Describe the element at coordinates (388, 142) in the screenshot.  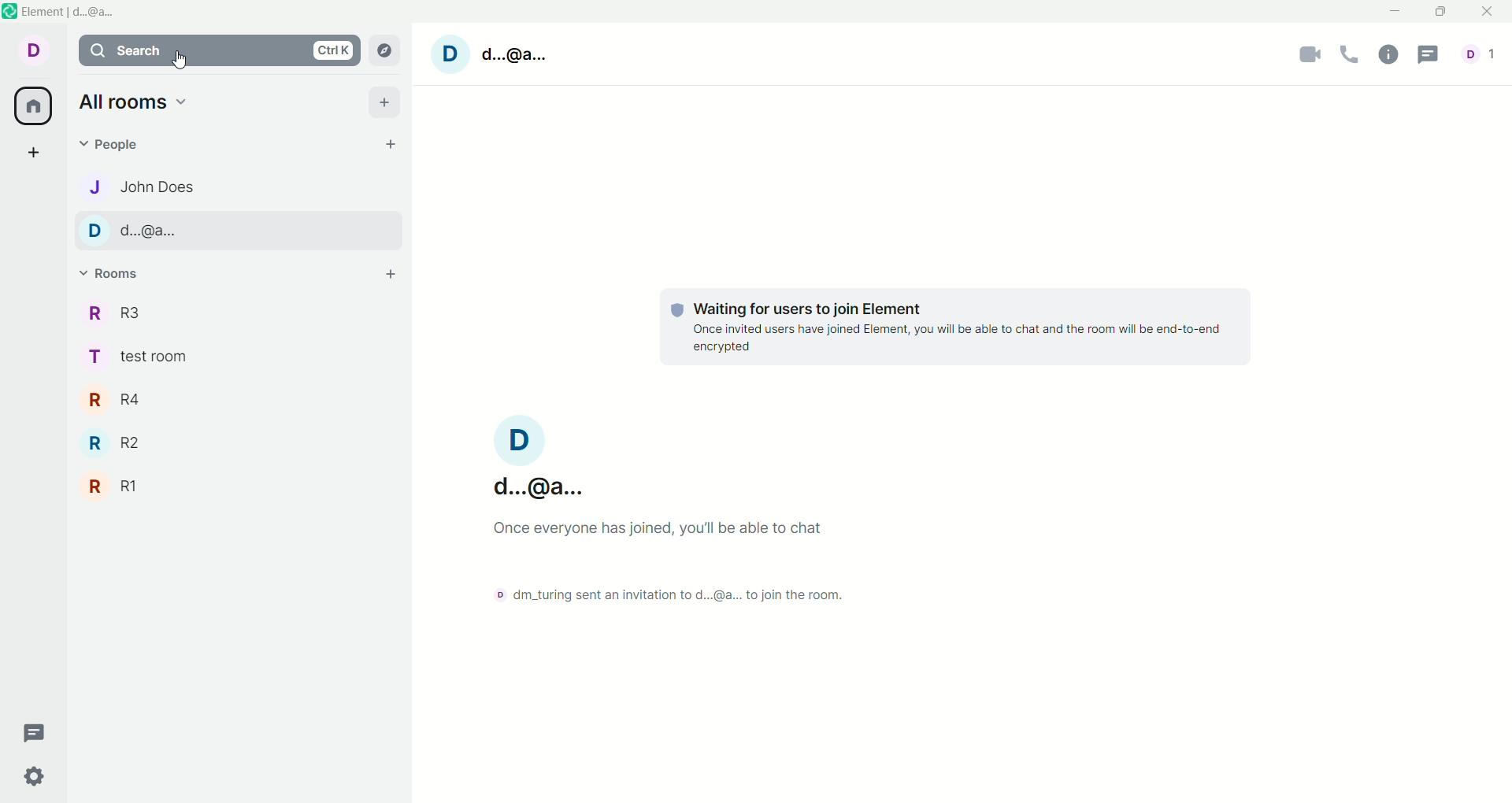
I see `start chat` at that location.